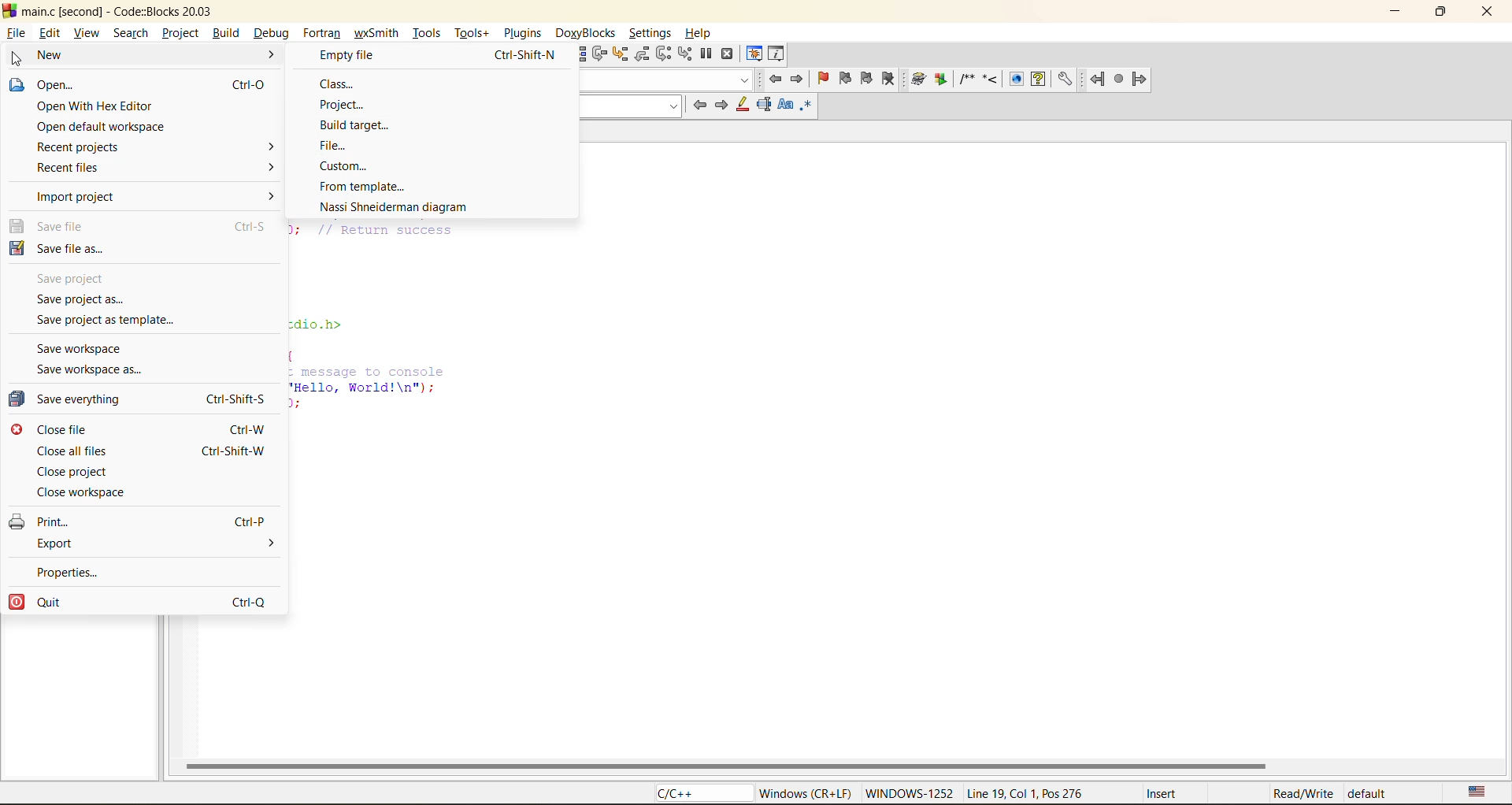 The width and height of the screenshot is (1512, 805). I want to click on settings, so click(652, 32).